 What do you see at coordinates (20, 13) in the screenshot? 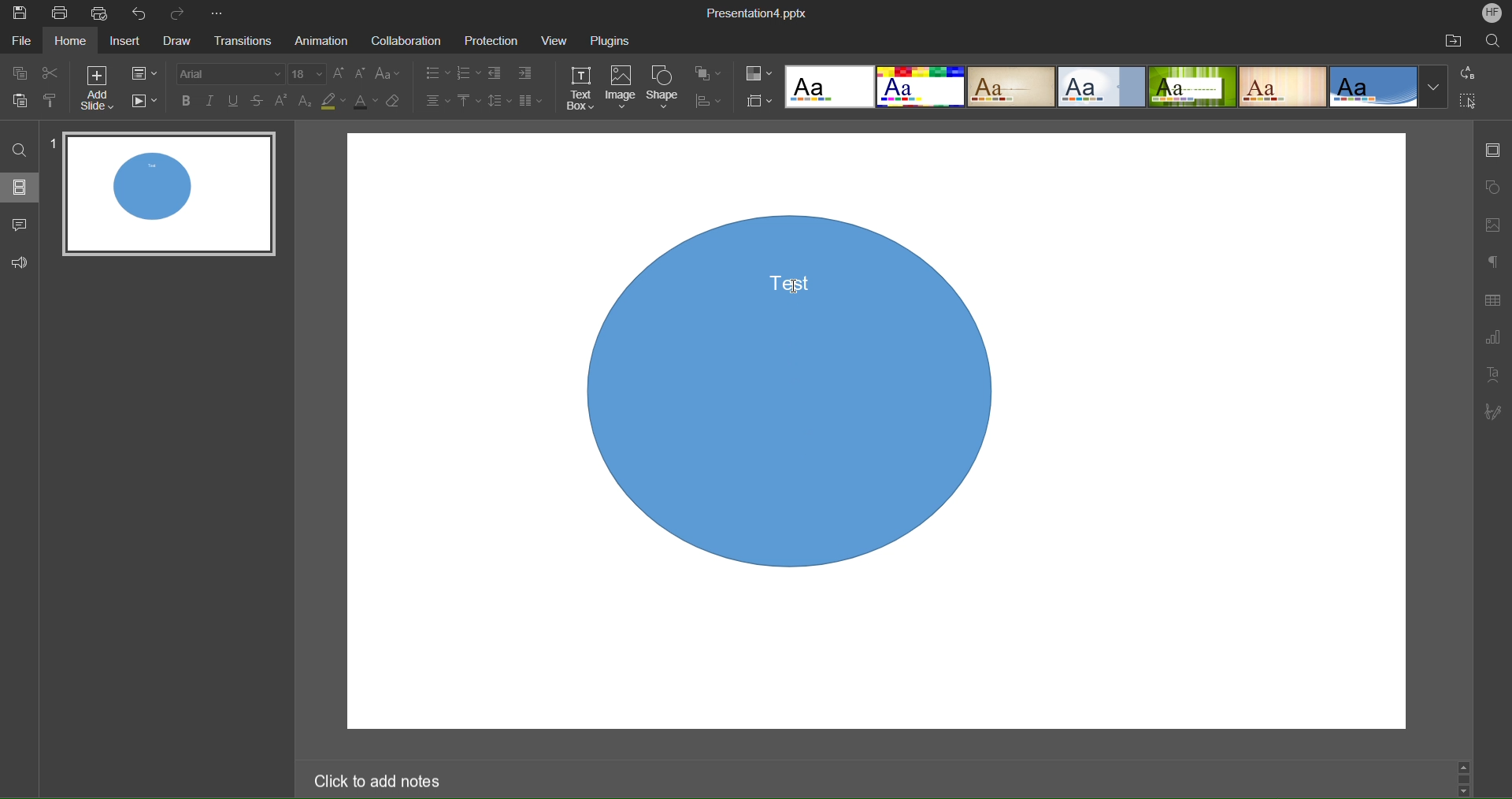
I see `Save` at bounding box center [20, 13].